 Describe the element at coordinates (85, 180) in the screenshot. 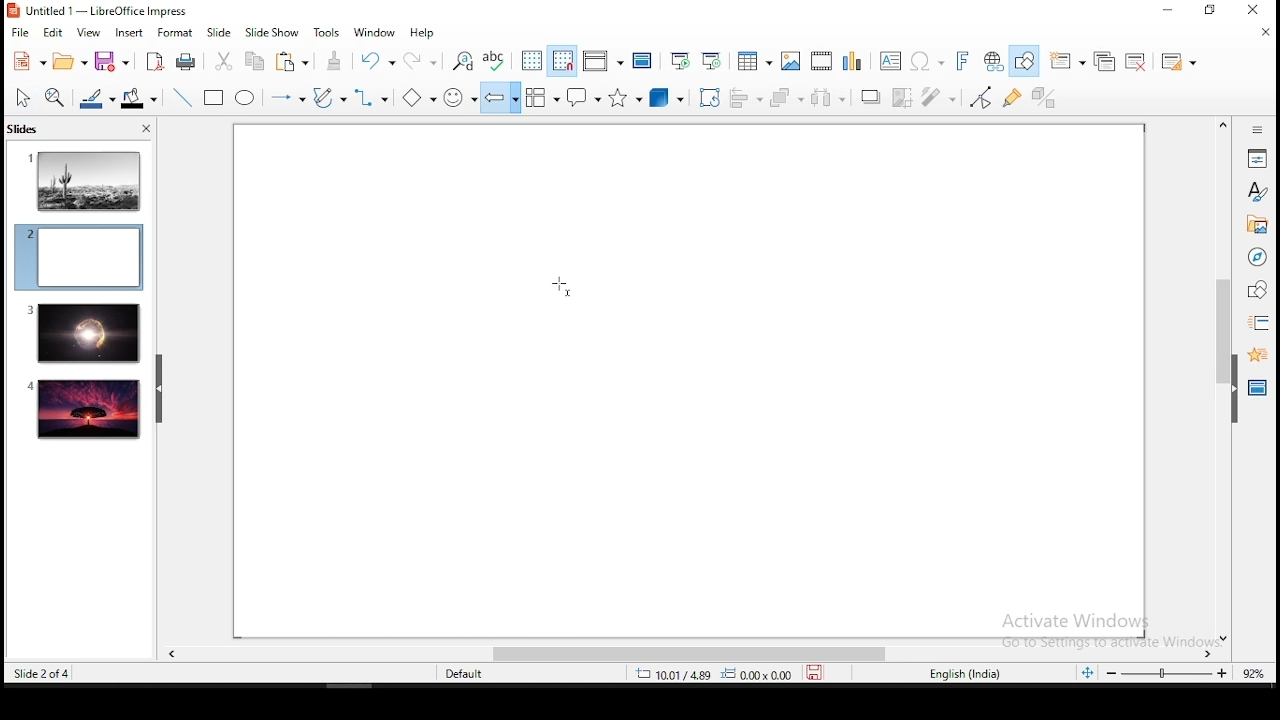

I see `slide 1` at that location.